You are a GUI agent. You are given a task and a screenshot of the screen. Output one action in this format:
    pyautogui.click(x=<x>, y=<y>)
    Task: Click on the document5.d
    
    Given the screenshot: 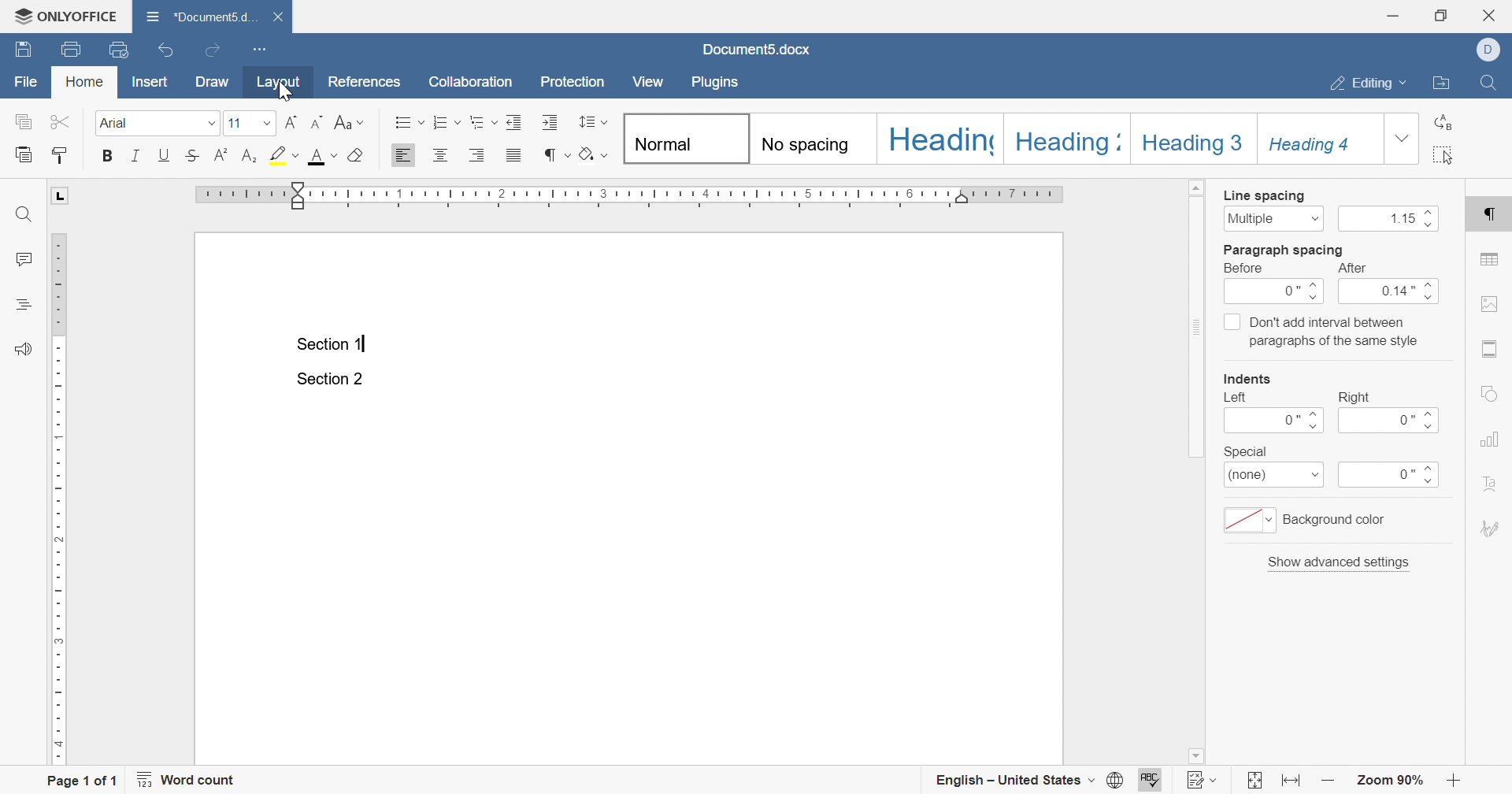 What is the action you would take?
    pyautogui.click(x=203, y=16)
    